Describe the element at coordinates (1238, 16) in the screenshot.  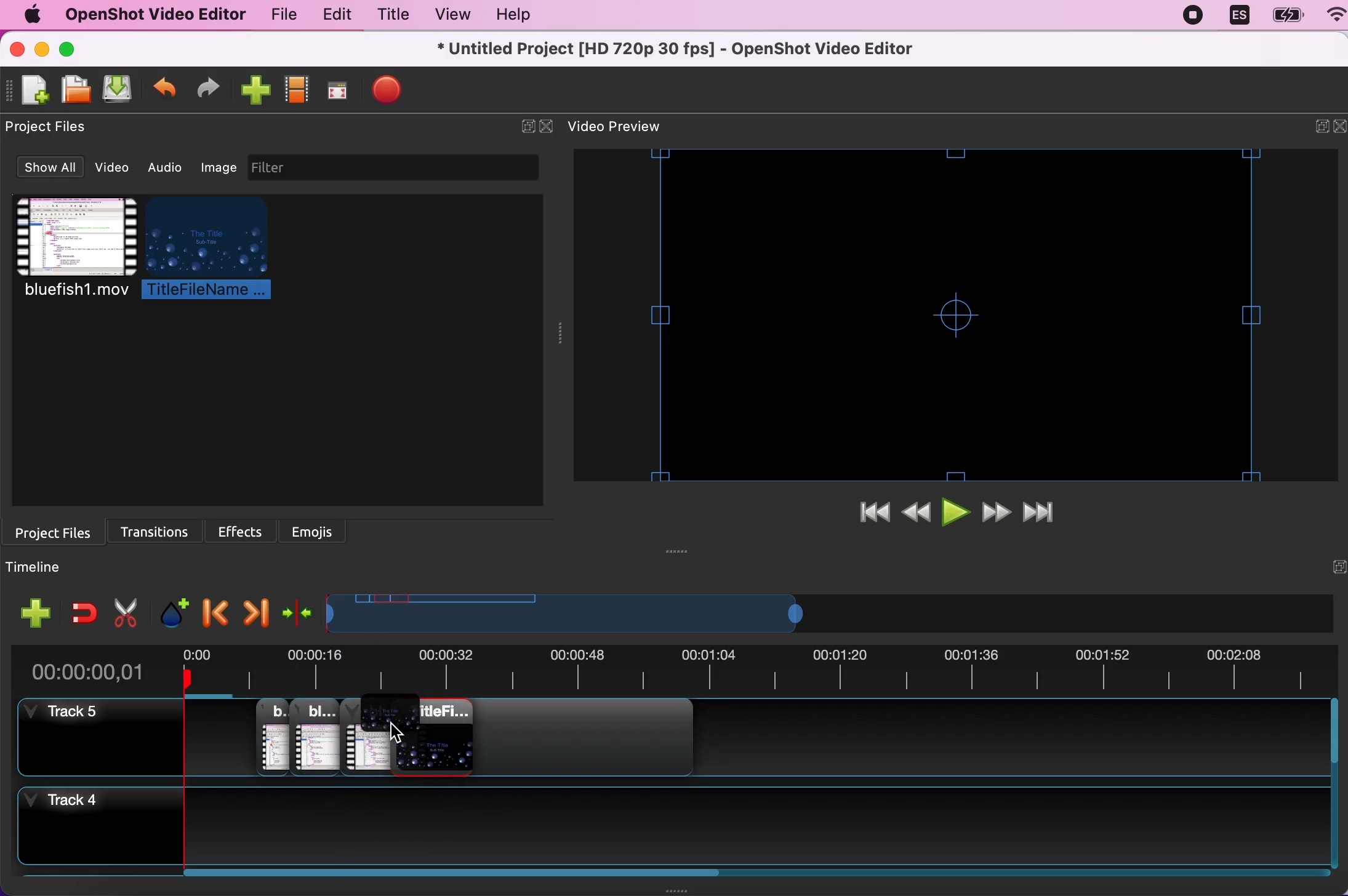
I see `language` at that location.